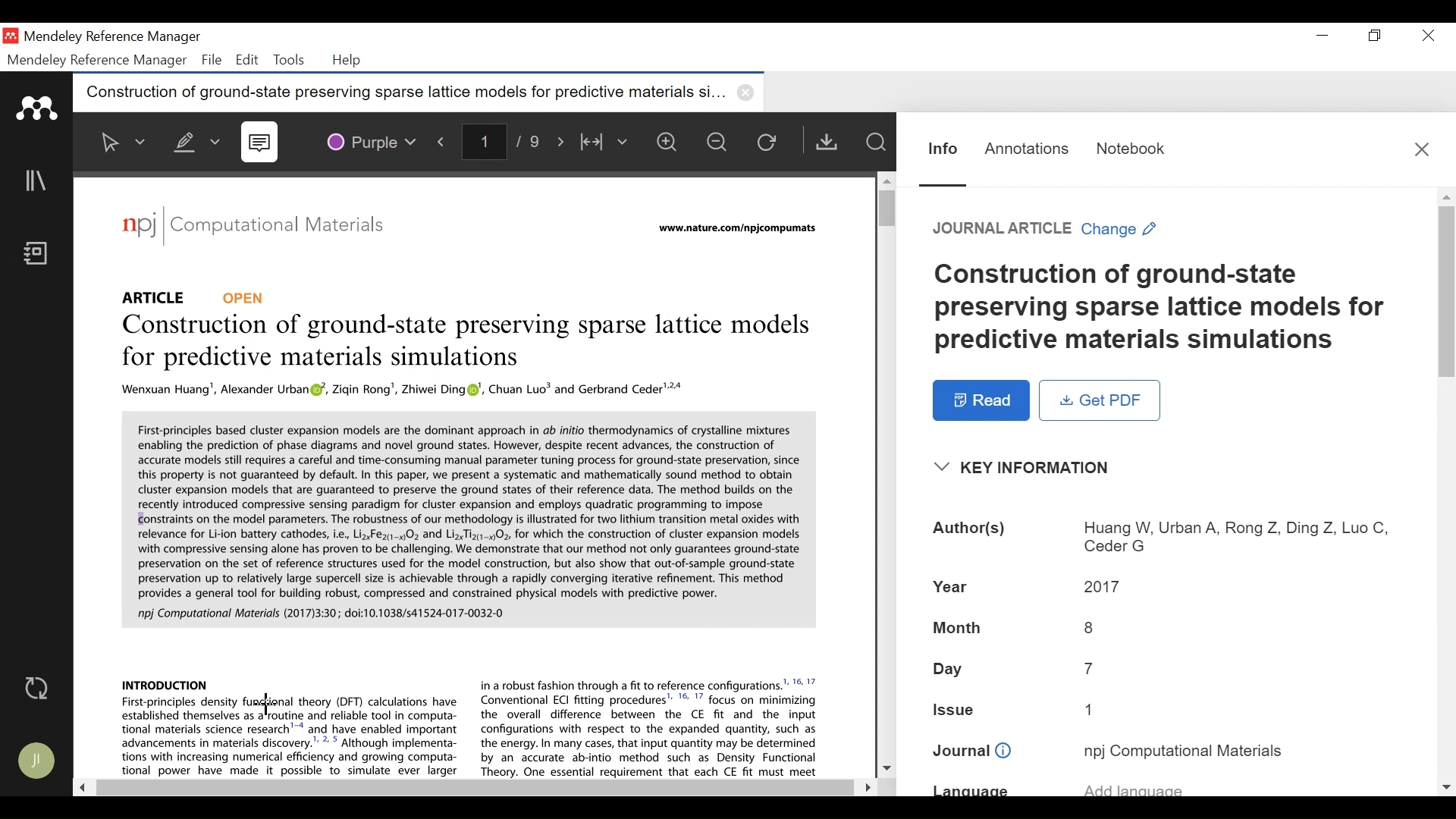 The height and width of the screenshot is (819, 1456). Describe the element at coordinates (1447, 196) in the screenshot. I see `Scroll up` at that location.